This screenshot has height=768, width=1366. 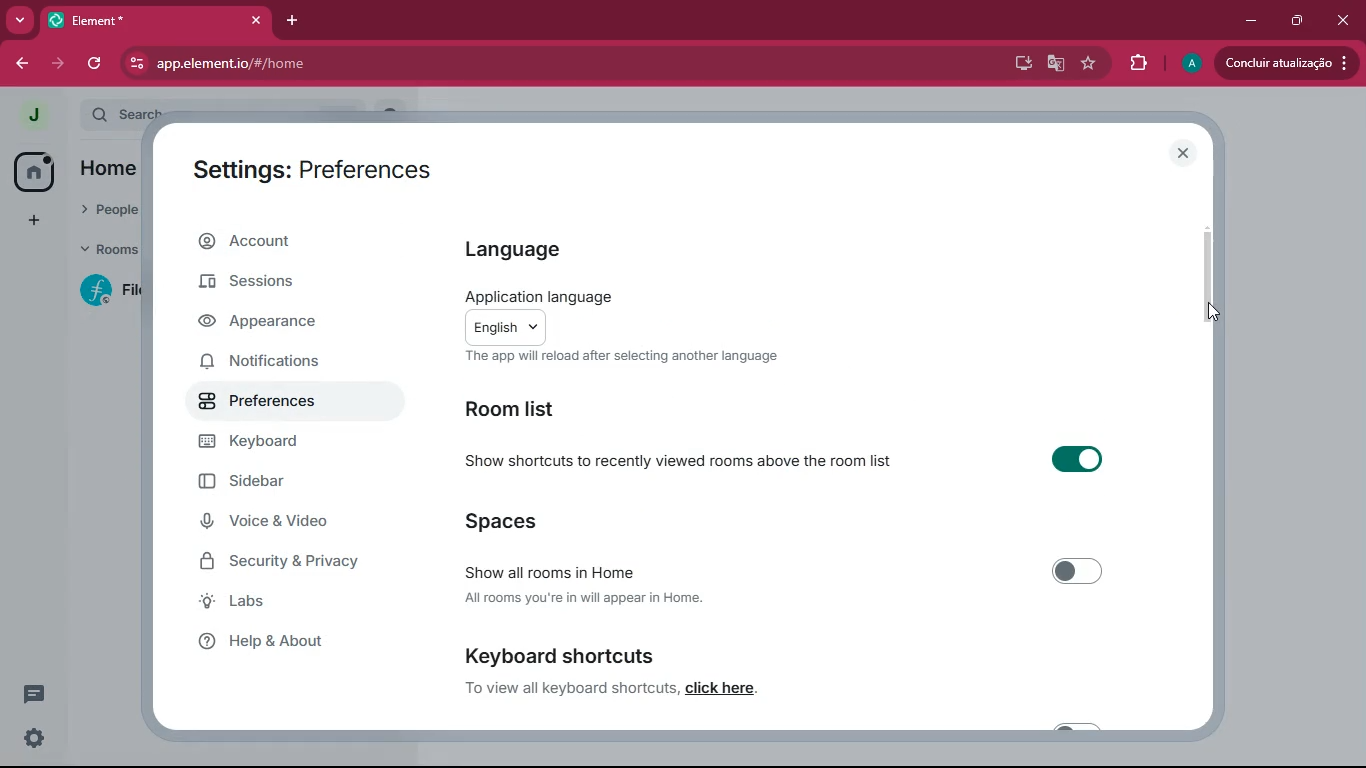 I want to click on keyboard, so click(x=273, y=444).